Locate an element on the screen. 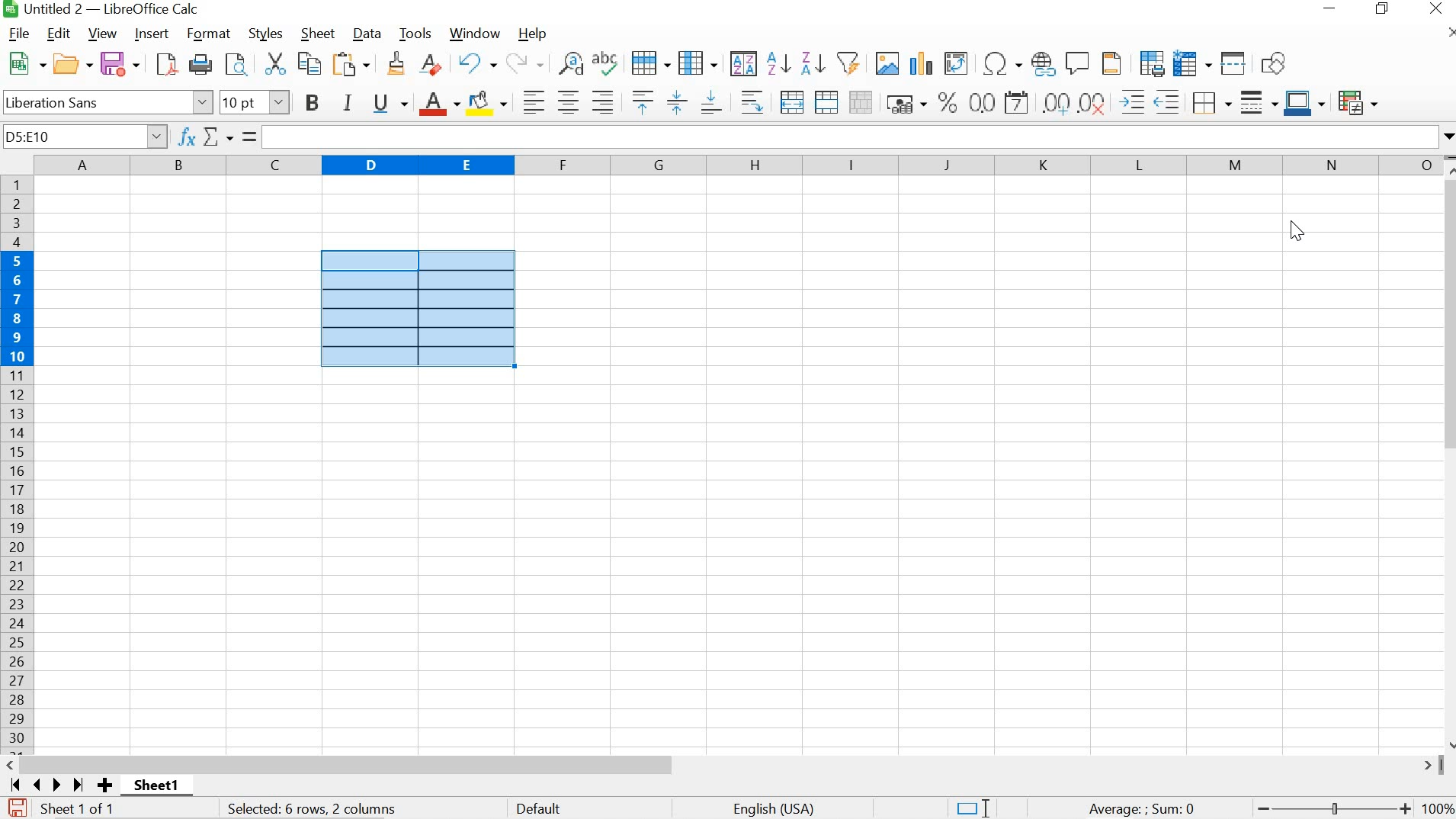 The height and width of the screenshot is (819, 1456). ALIGN LEFT is located at coordinates (535, 101).